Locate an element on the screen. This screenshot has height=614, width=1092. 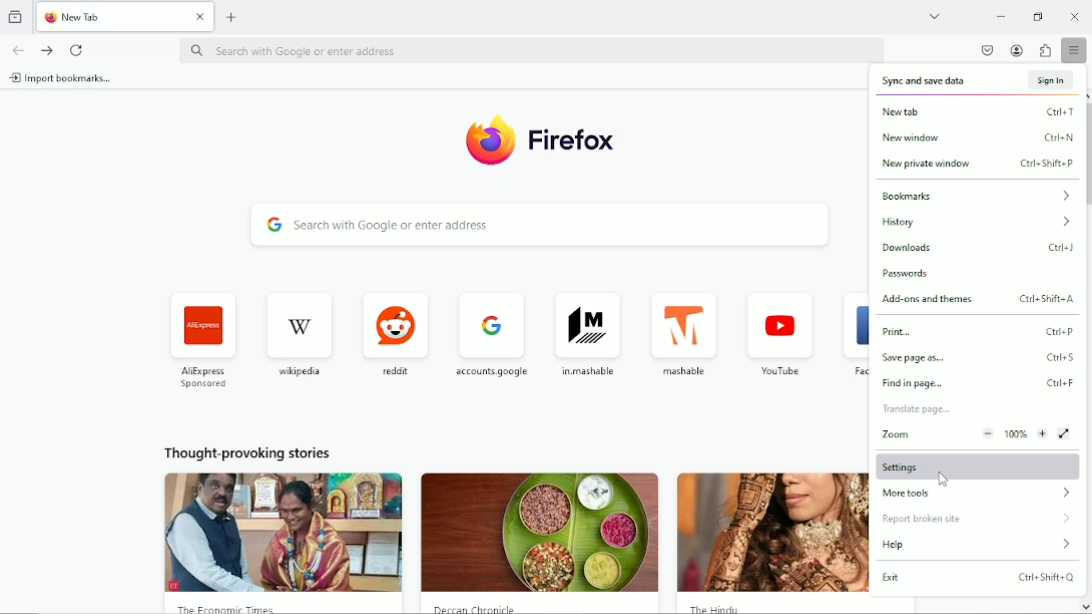
save page as is located at coordinates (977, 359).